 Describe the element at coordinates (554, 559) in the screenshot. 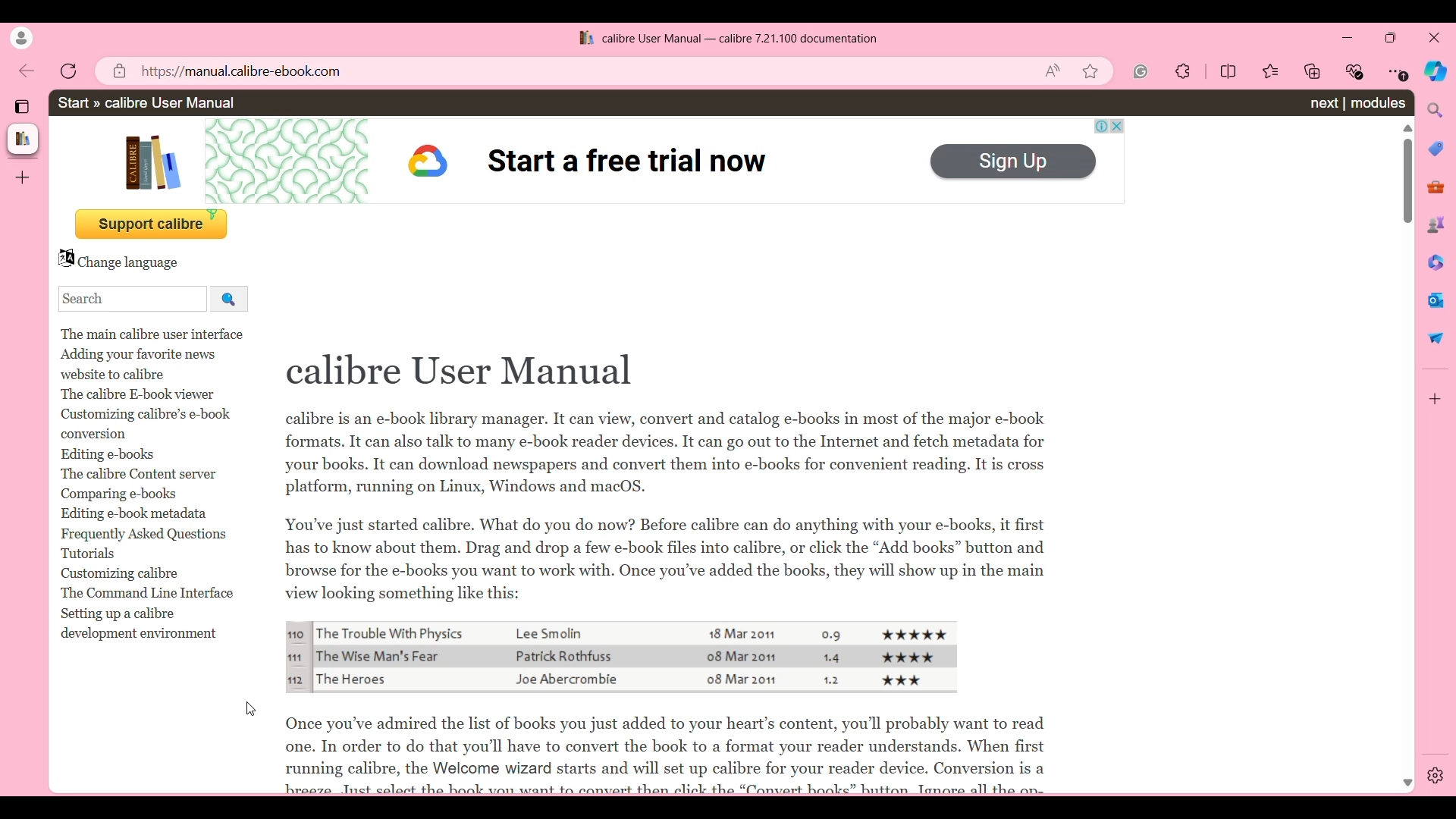

I see `Page text` at that location.